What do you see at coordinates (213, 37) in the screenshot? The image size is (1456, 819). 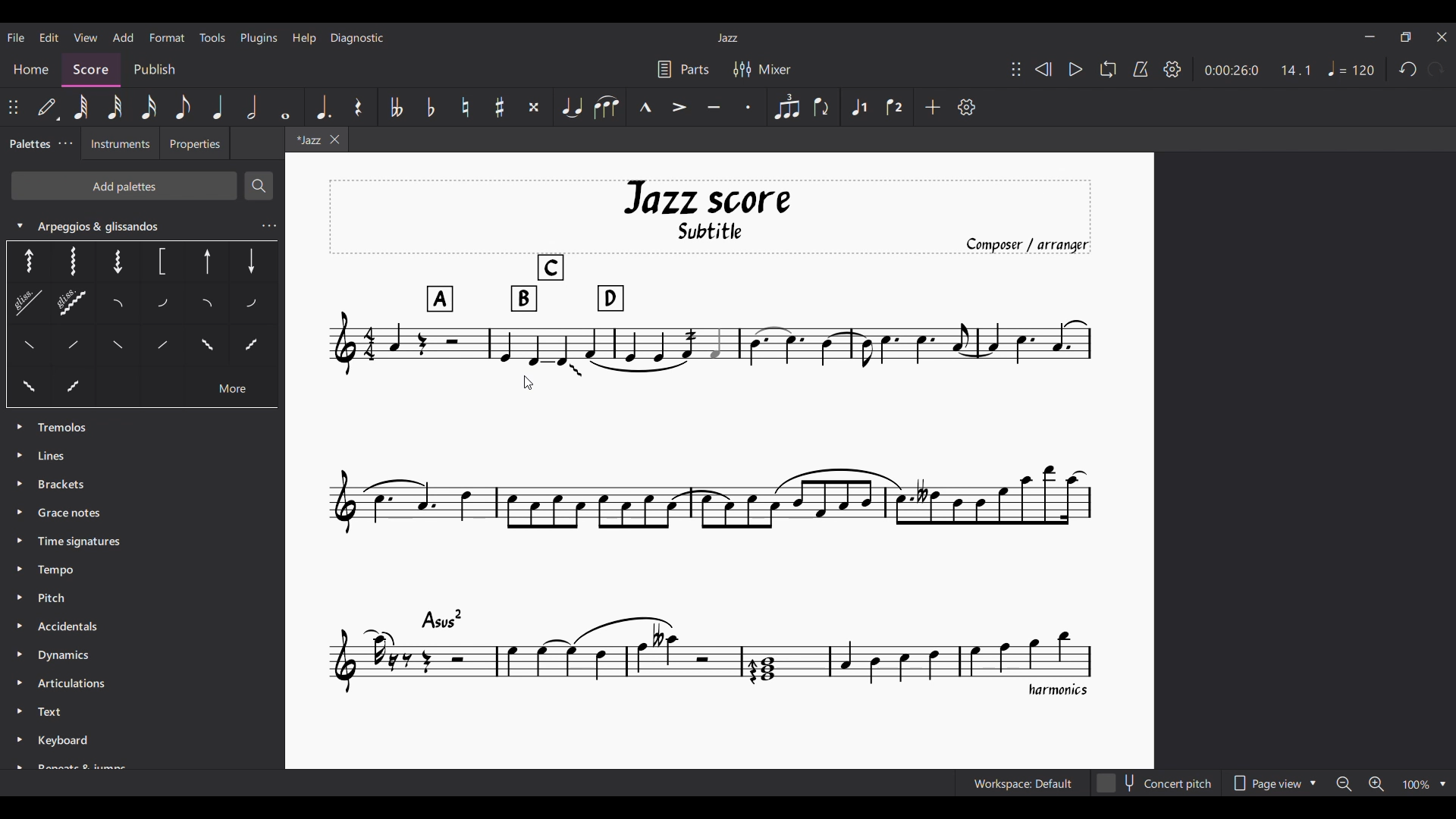 I see `Tools menu` at bounding box center [213, 37].